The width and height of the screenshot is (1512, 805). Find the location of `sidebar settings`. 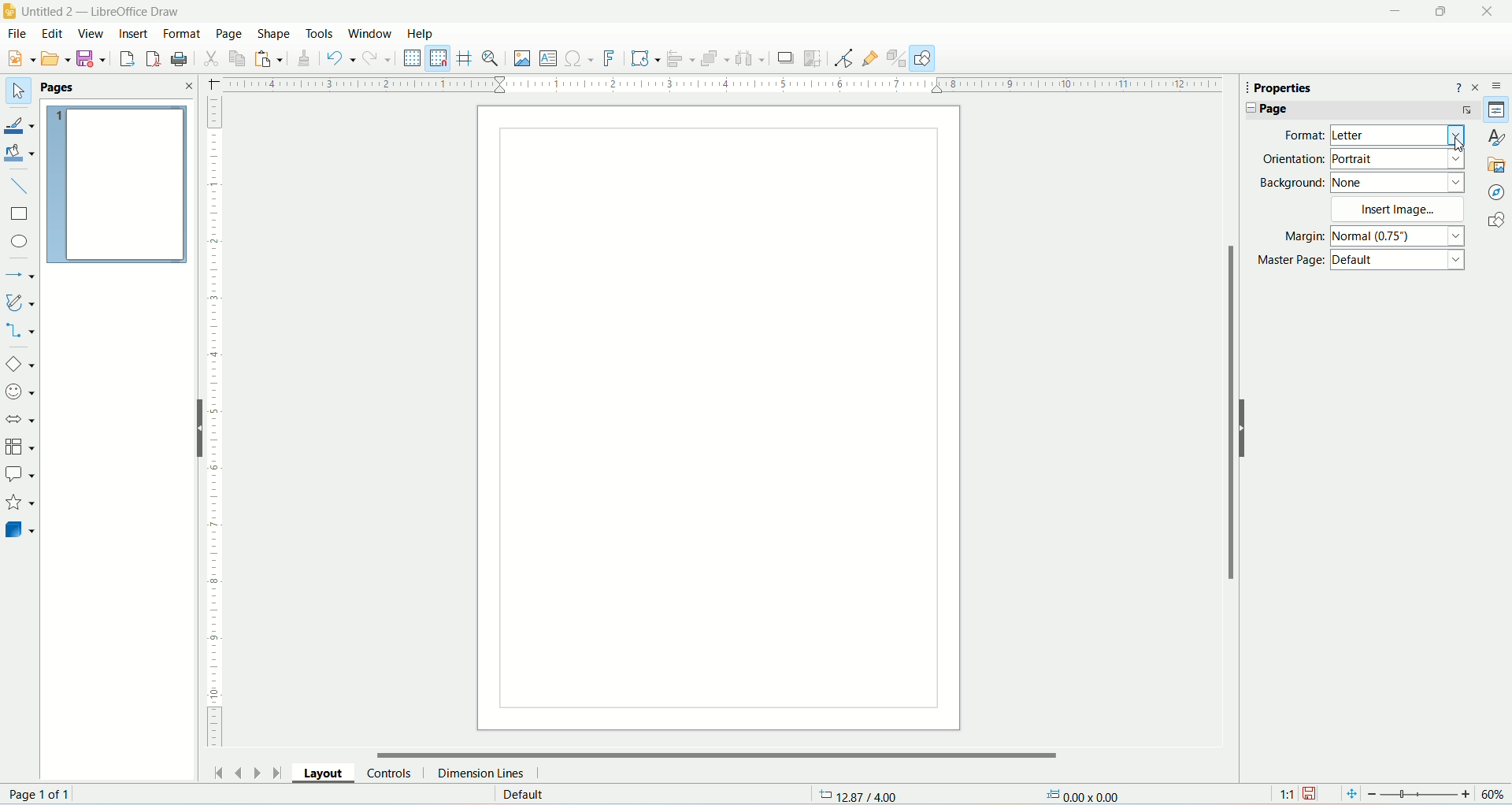

sidebar settings is located at coordinates (1497, 88).